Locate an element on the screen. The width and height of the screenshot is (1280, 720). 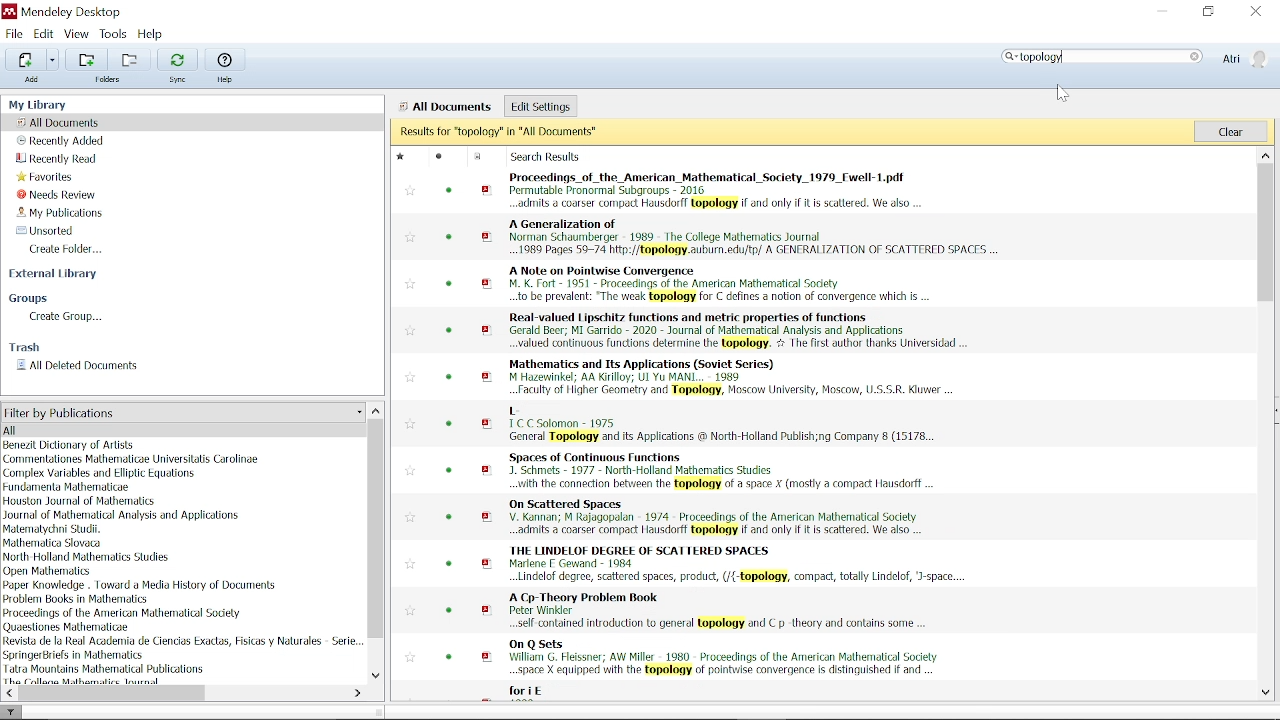
citation is located at coordinates (721, 657).